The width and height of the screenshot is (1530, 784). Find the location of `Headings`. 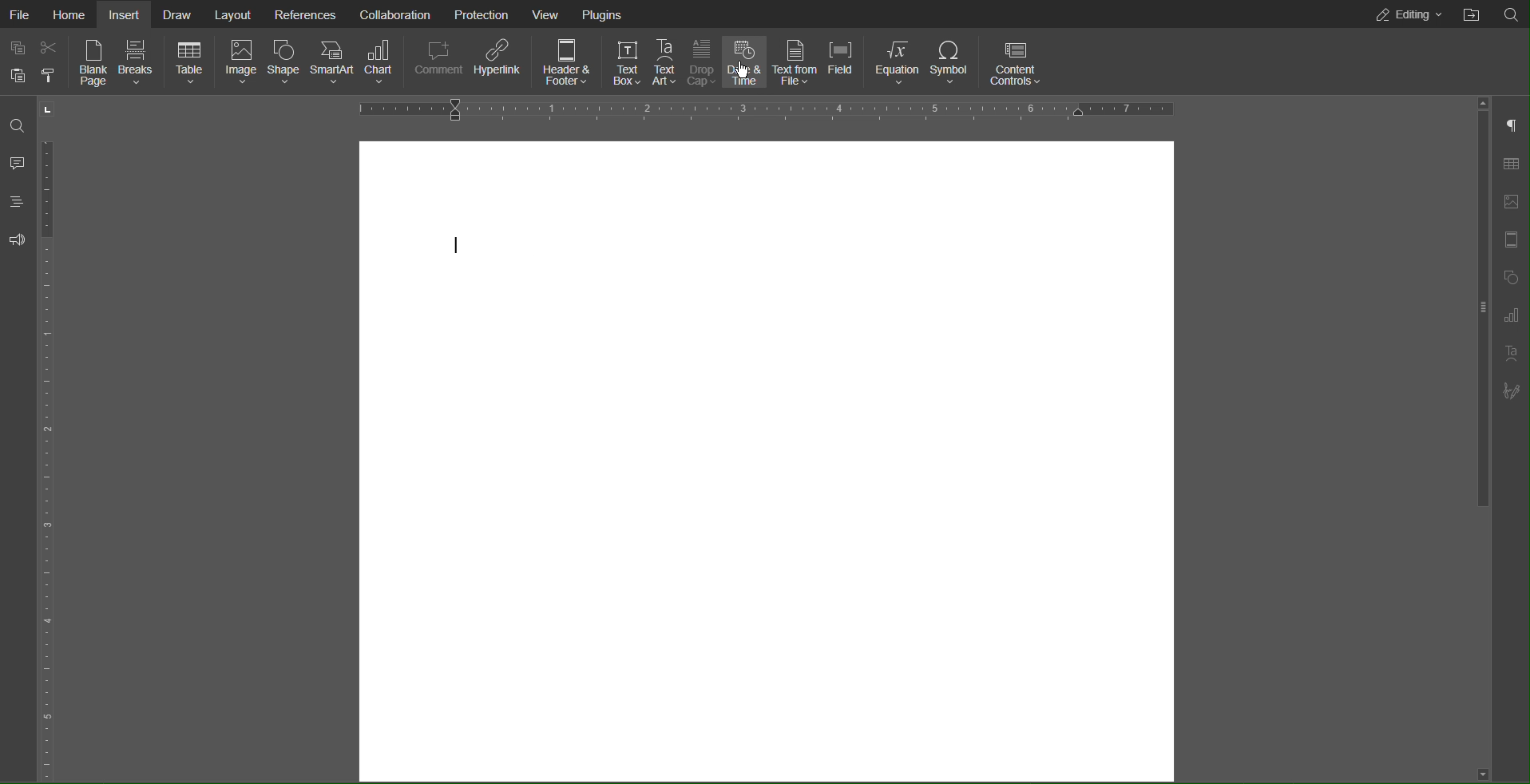

Headings is located at coordinates (18, 202).